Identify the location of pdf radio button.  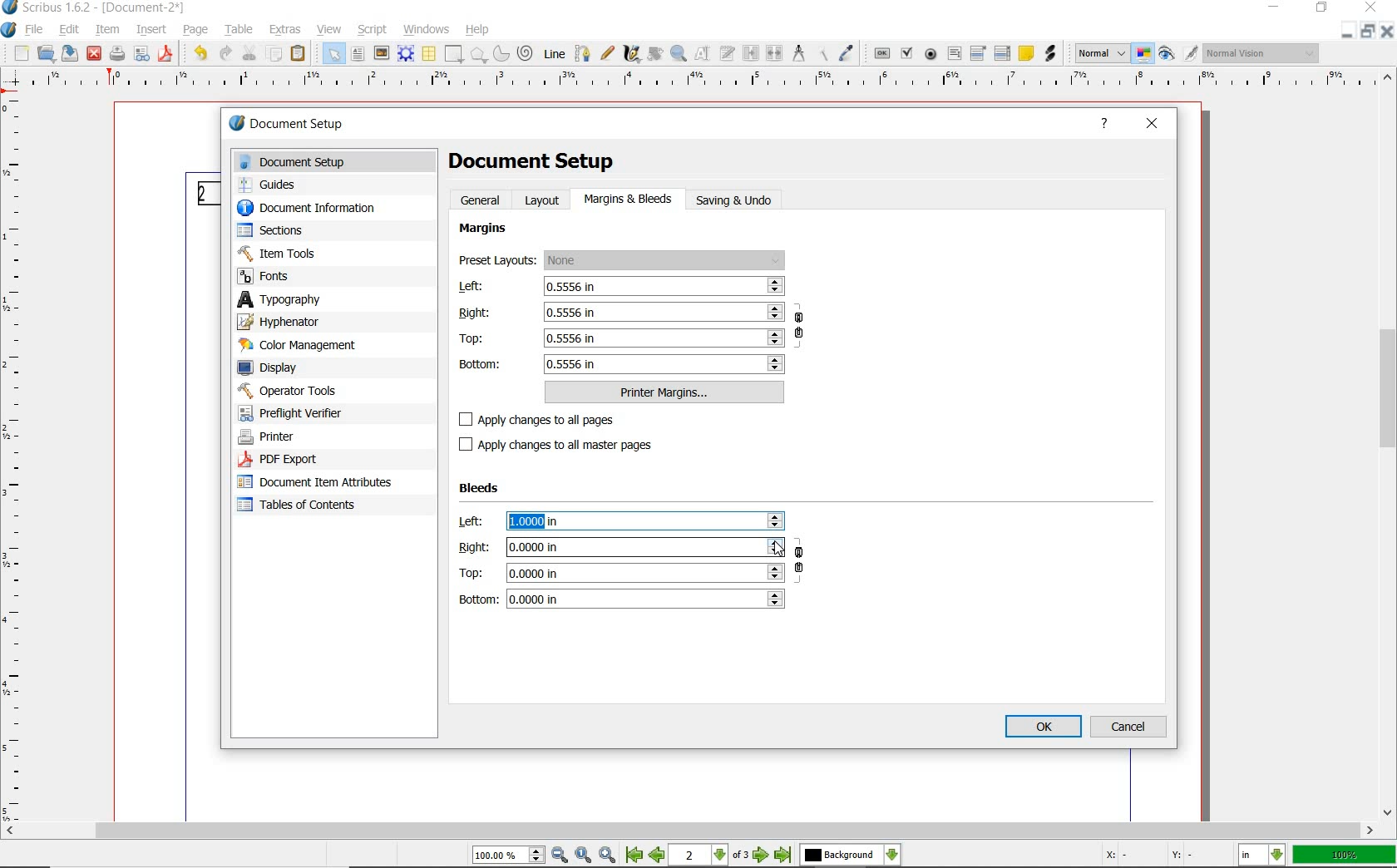
(931, 54).